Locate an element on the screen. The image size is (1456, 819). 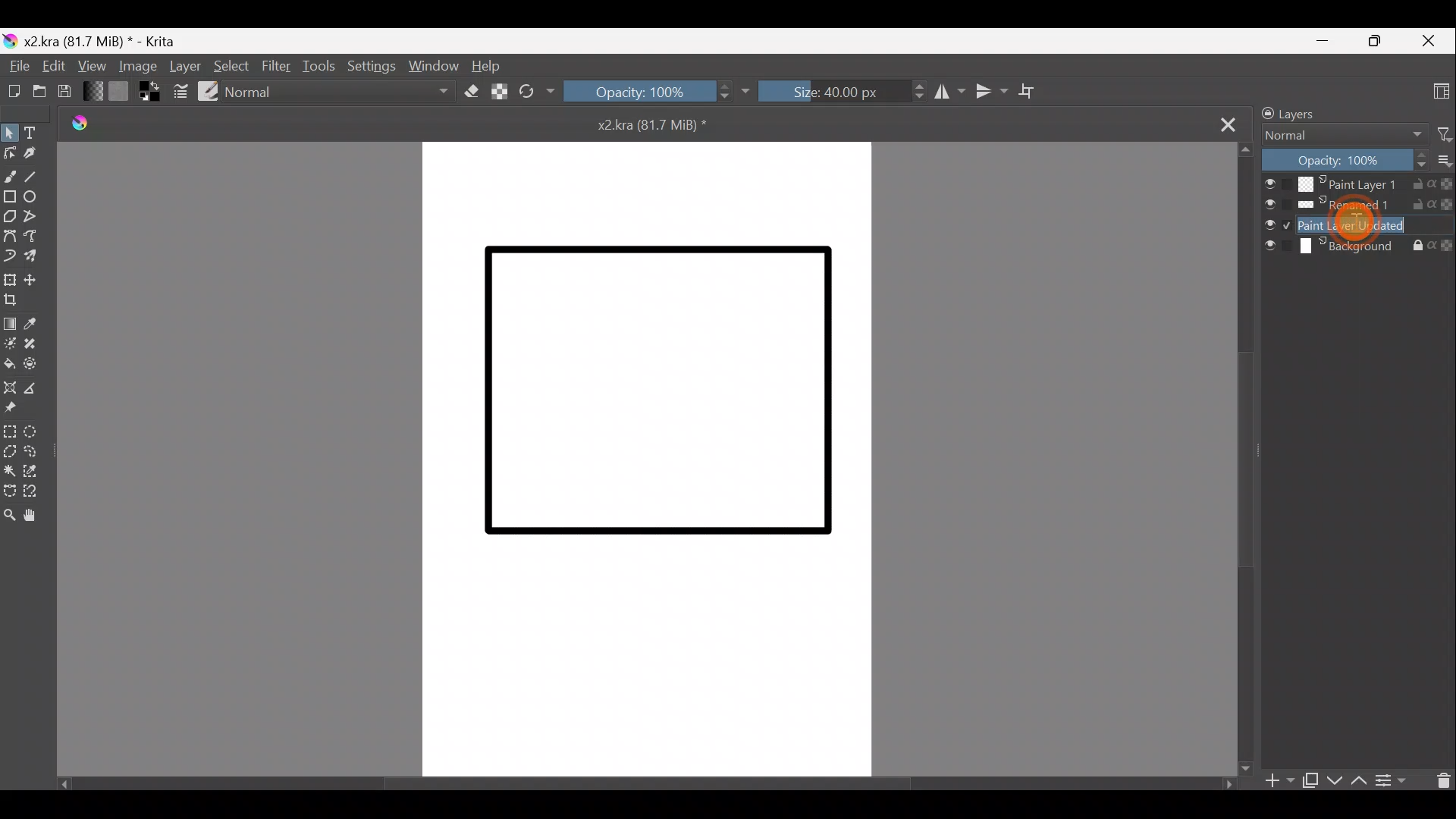
Edit brush settings is located at coordinates (179, 94).